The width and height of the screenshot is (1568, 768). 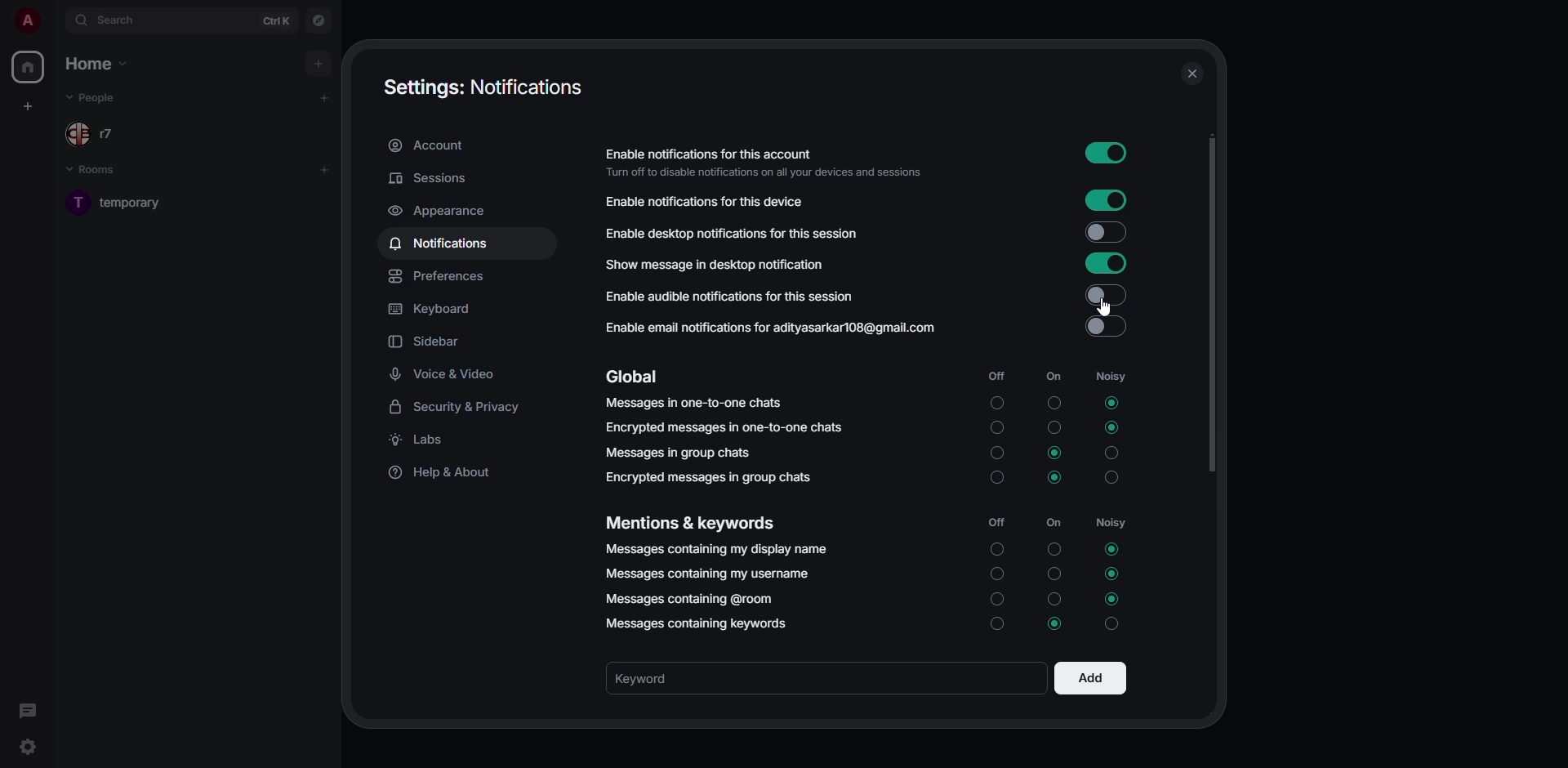 What do you see at coordinates (100, 171) in the screenshot?
I see `rooms` at bounding box center [100, 171].